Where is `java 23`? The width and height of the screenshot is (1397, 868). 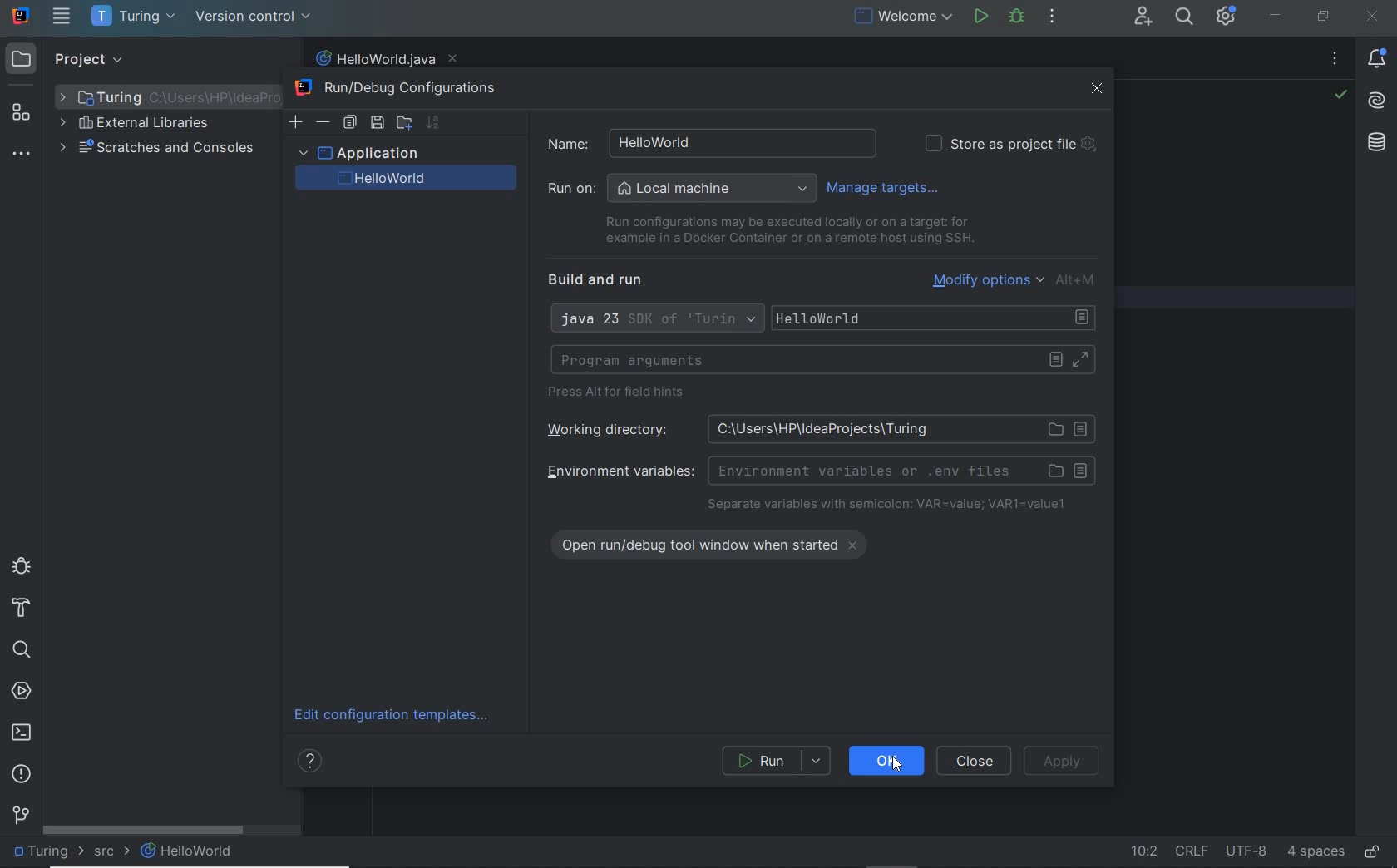
java 23 is located at coordinates (655, 320).